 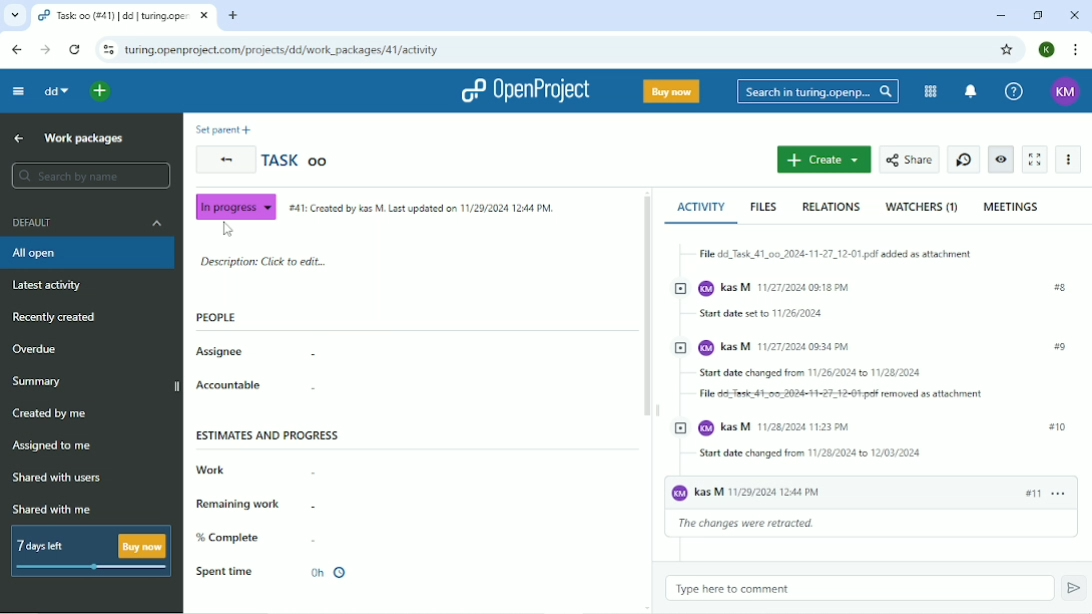 I want to click on Back, so click(x=15, y=48).